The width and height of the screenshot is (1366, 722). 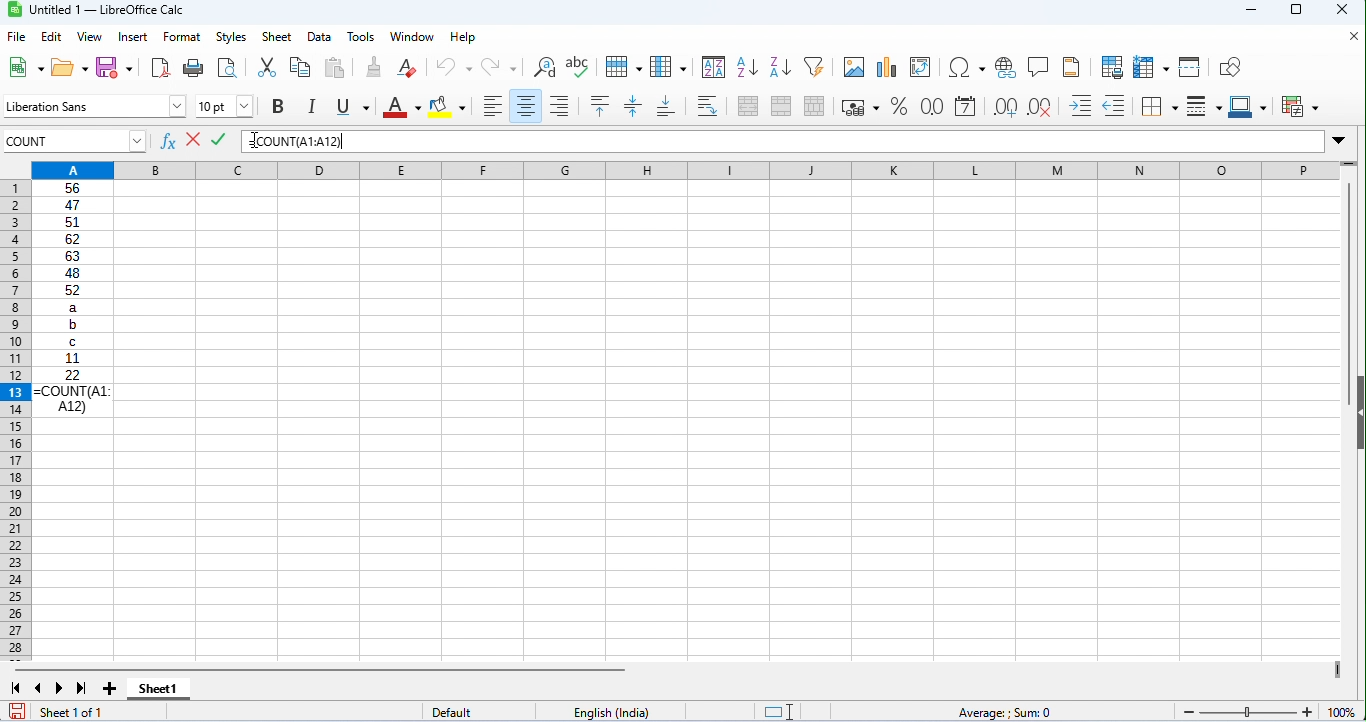 I want to click on paste, so click(x=336, y=68).